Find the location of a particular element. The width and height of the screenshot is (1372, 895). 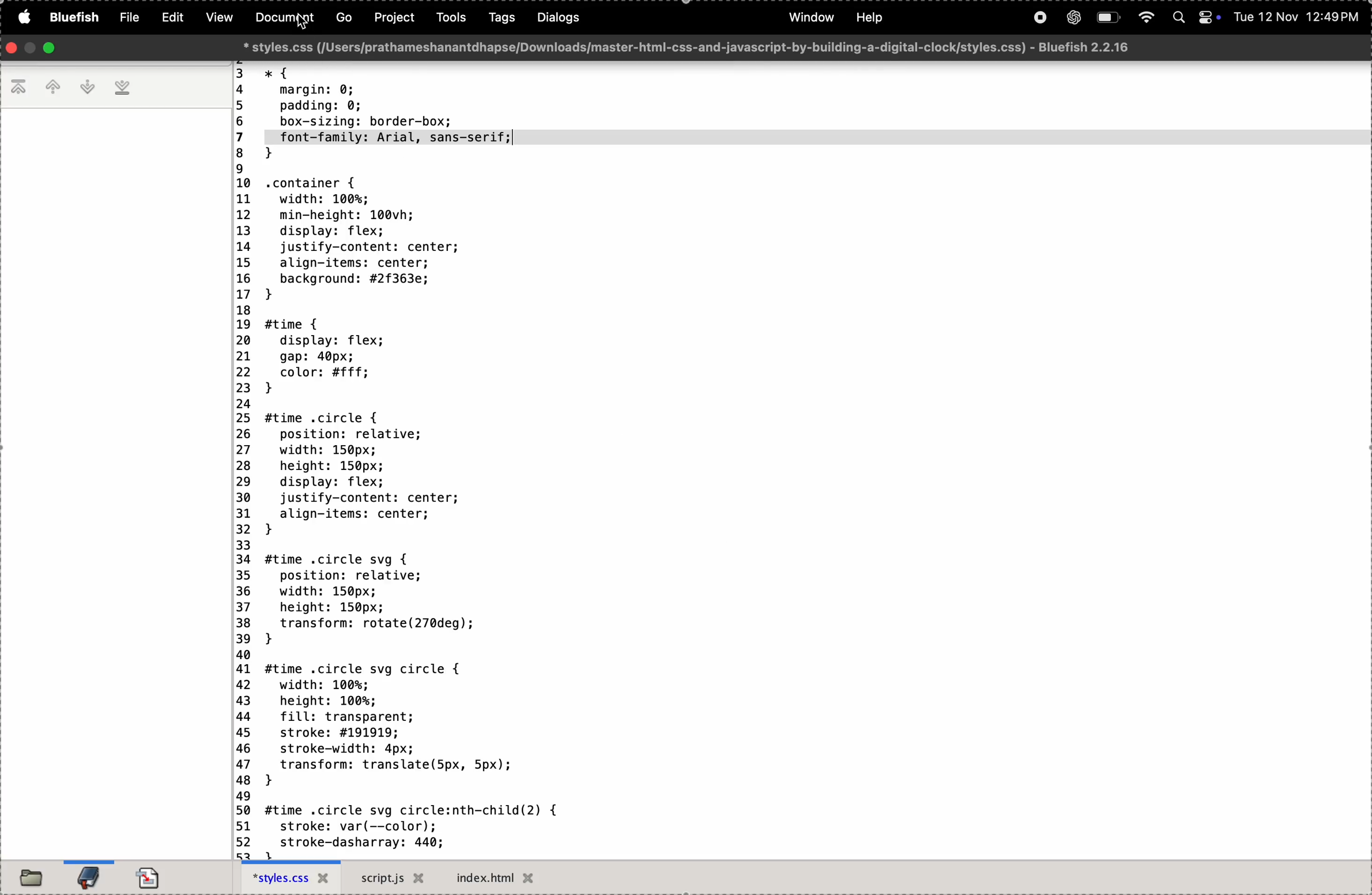

chatgpt is located at coordinates (1071, 19).